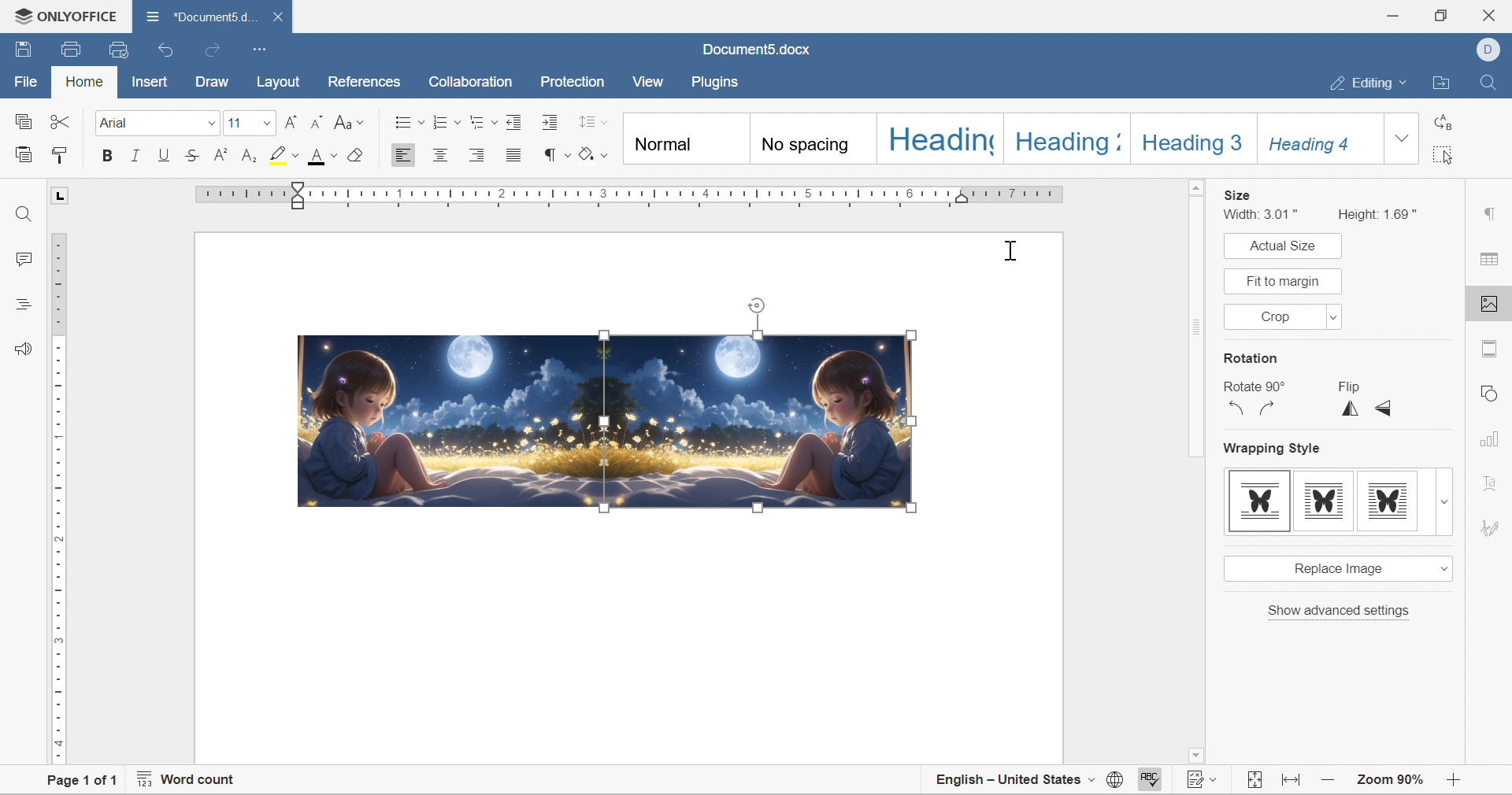  What do you see at coordinates (317, 121) in the screenshot?
I see `Decrement font size` at bounding box center [317, 121].